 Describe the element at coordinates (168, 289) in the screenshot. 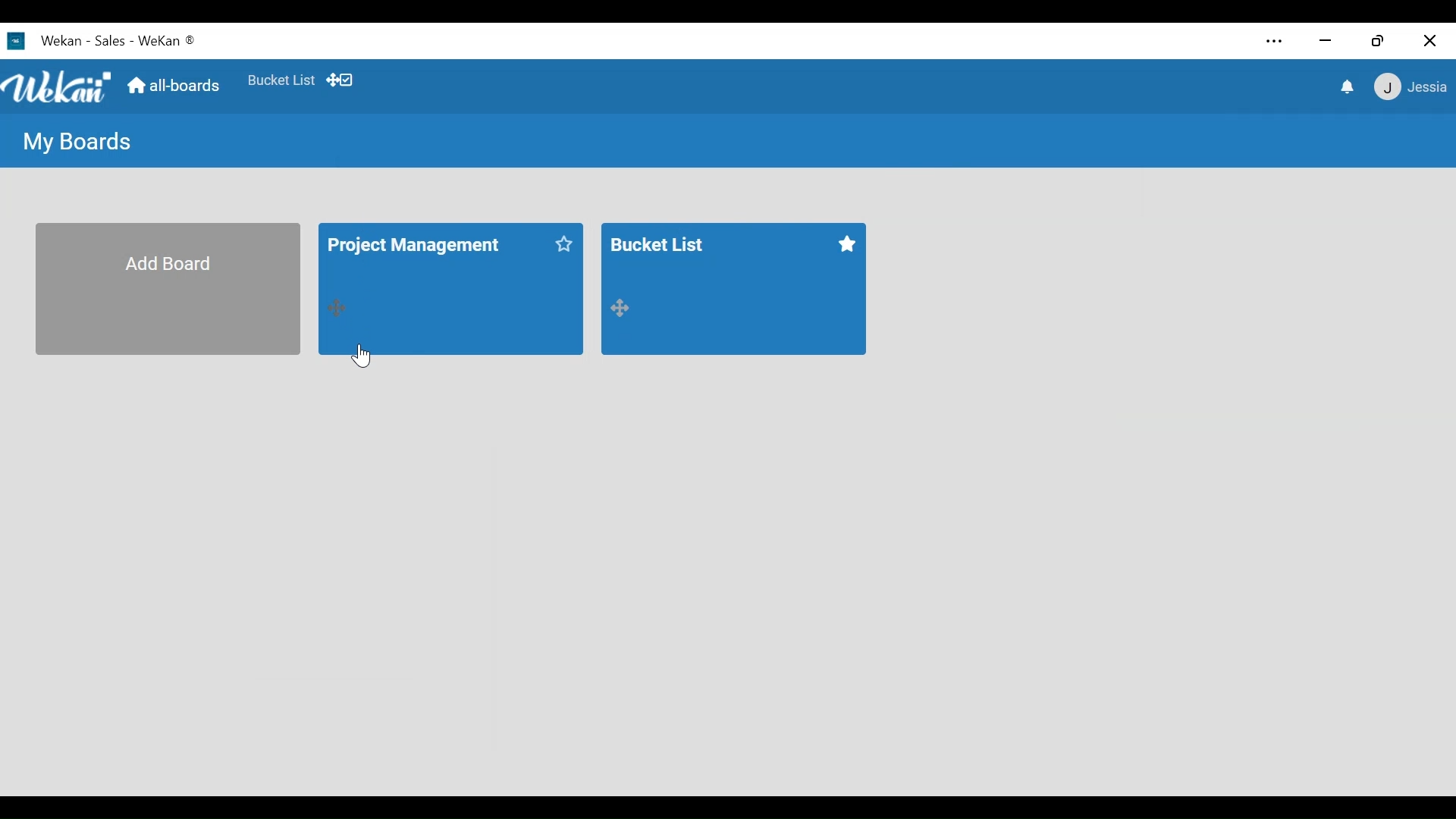

I see `Add Board` at that location.